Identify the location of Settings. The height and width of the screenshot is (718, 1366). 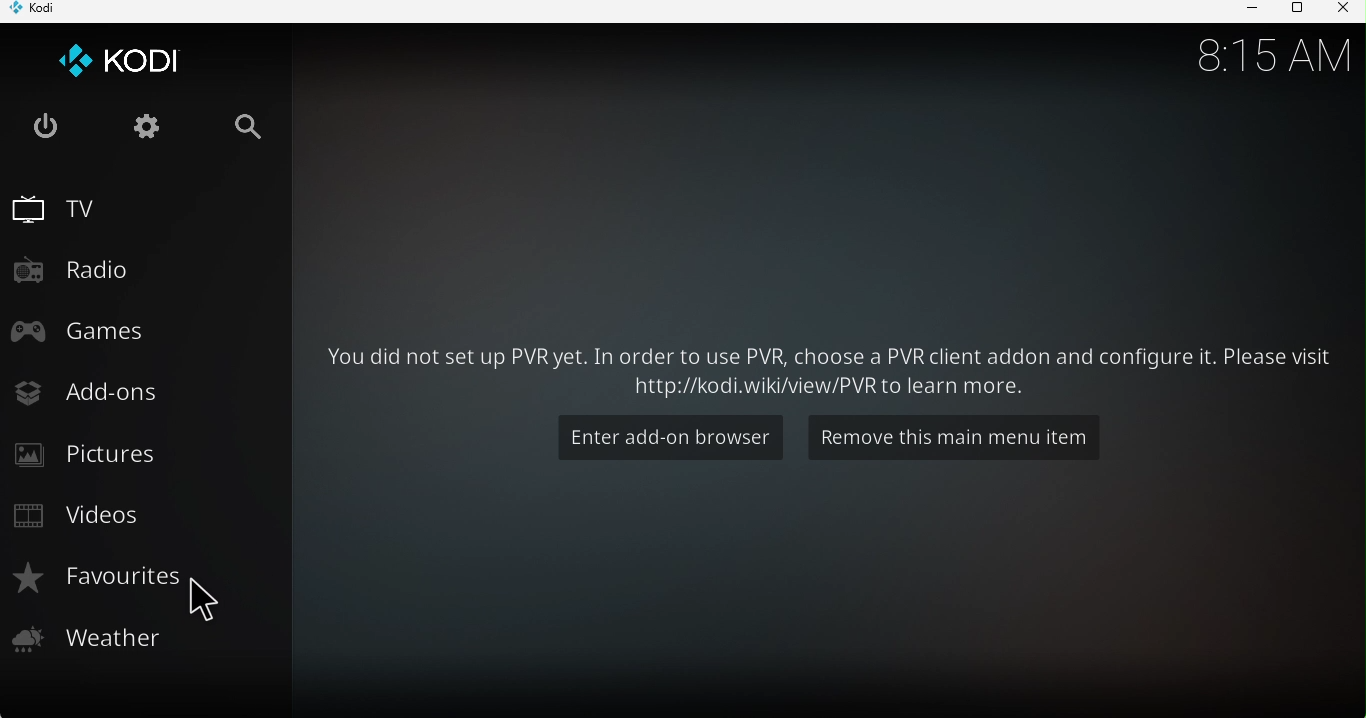
(144, 130).